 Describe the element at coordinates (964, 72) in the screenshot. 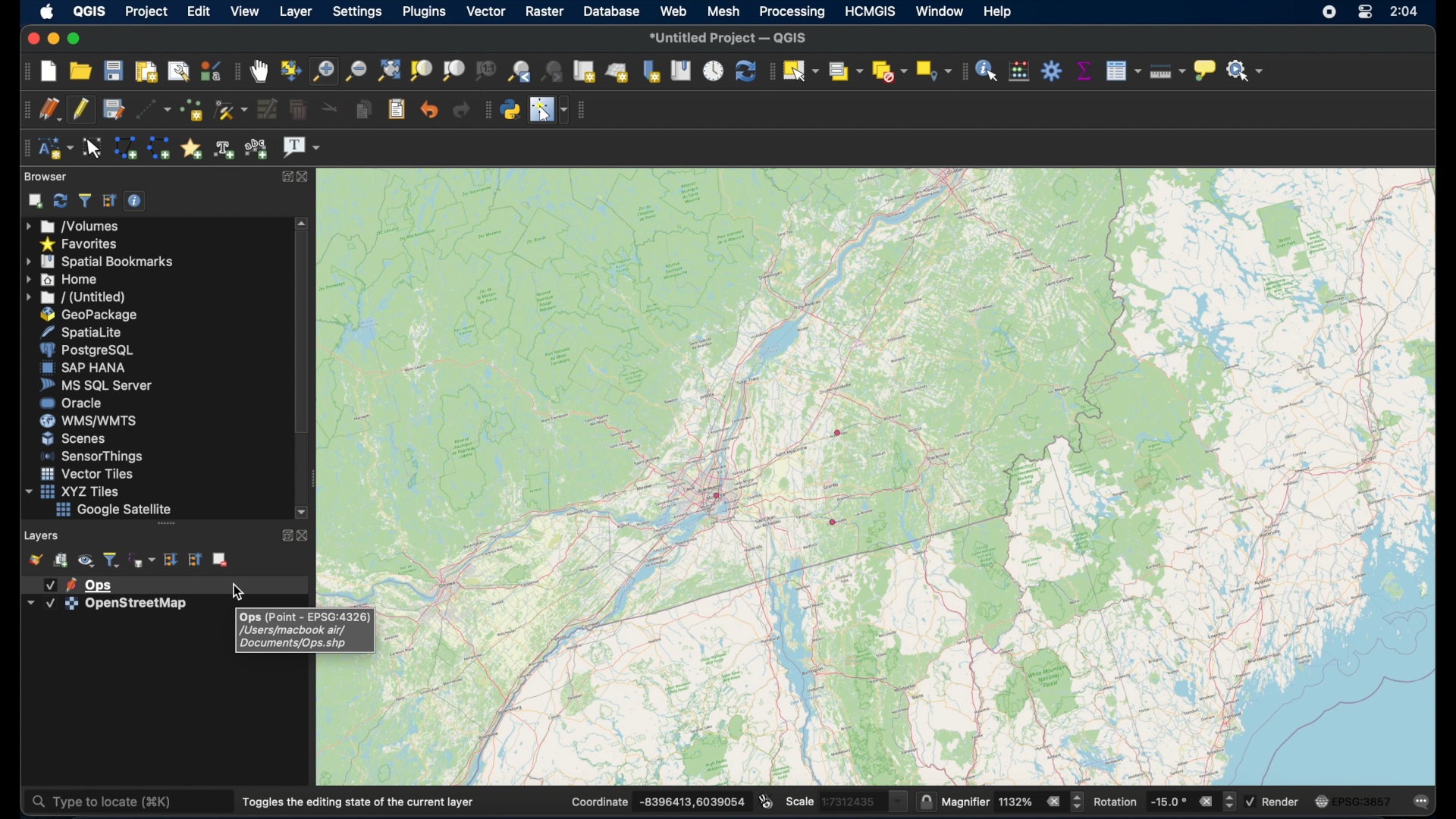

I see `attributes toolbar` at that location.